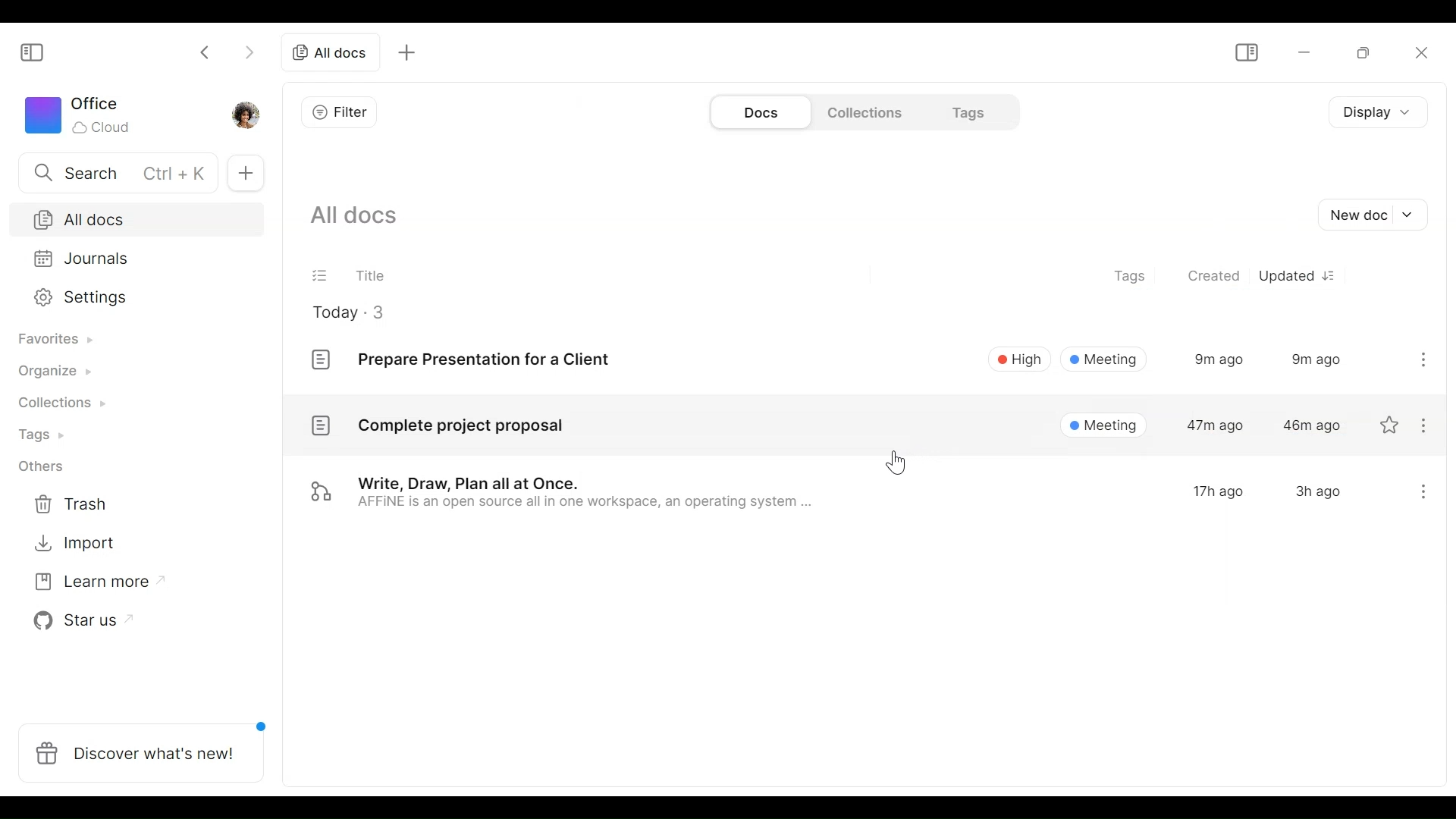 The image size is (1456, 819). What do you see at coordinates (1367, 52) in the screenshot?
I see `Restore` at bounding box center [1367, 52].